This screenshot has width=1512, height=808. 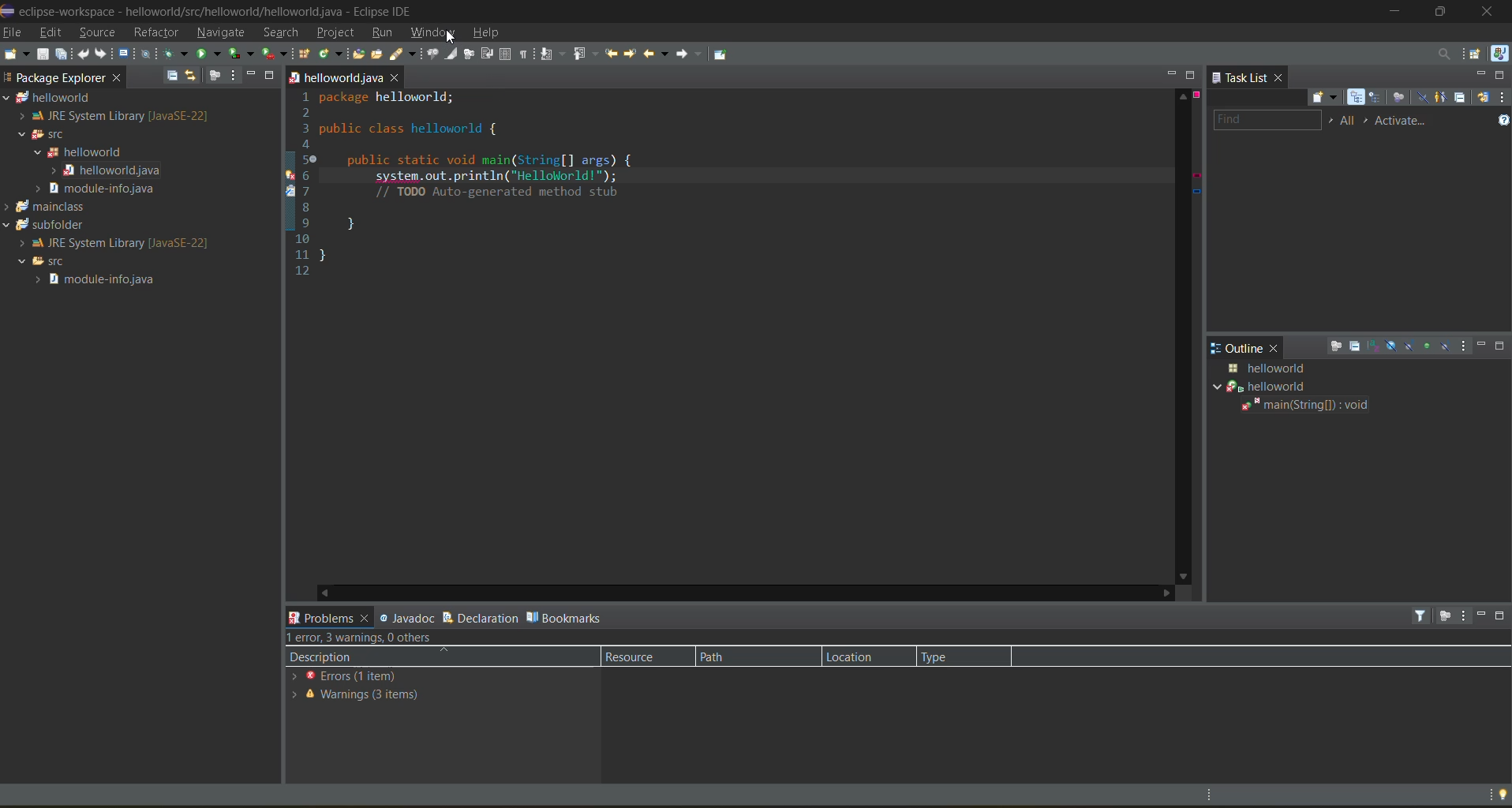 What do you see at coordinates (331, 55) in the screenshot?
I see `new java class` at bounding box center [331, 55].